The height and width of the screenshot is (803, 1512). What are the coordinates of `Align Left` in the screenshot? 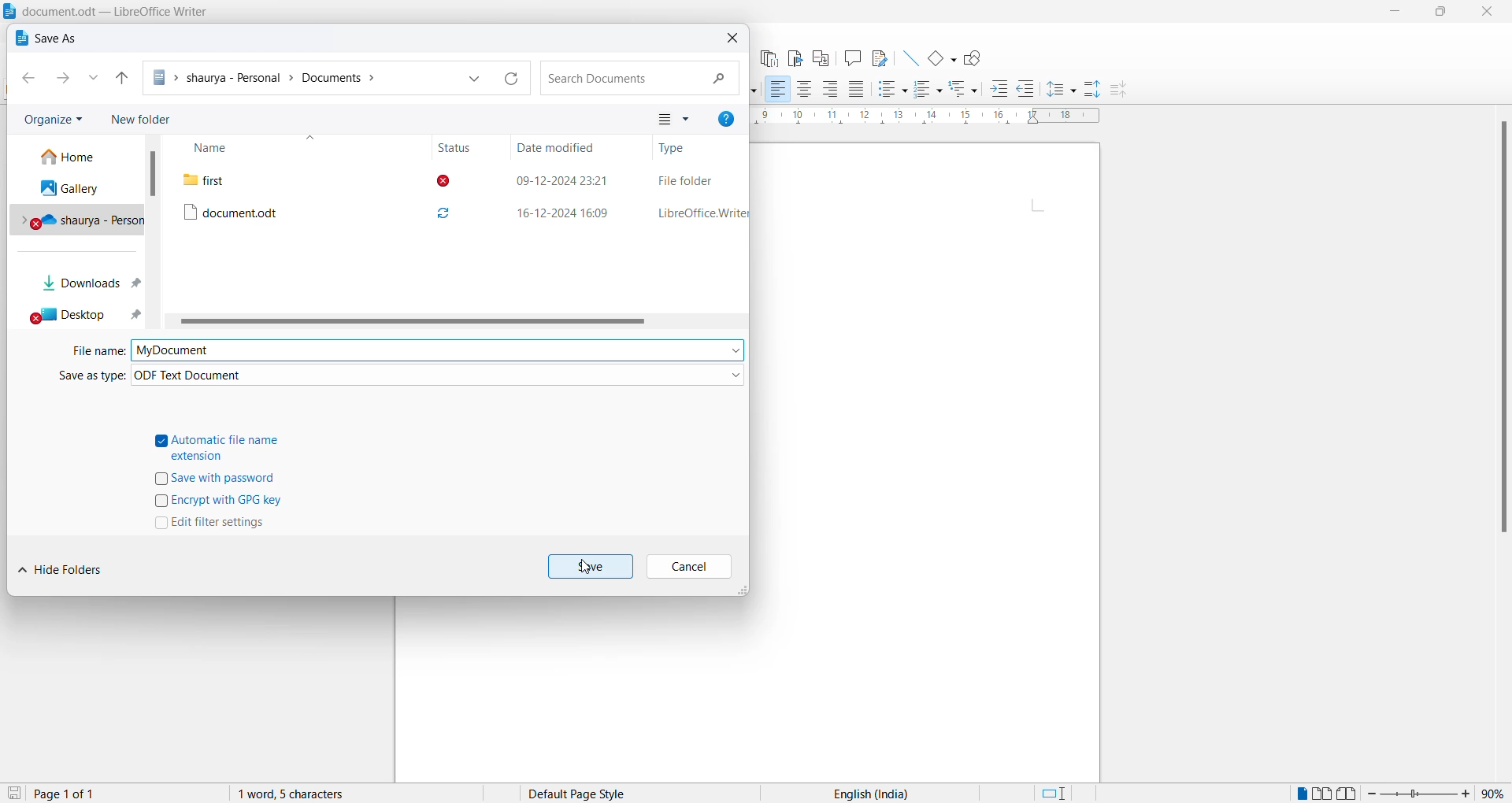 It's located at (777, 90).